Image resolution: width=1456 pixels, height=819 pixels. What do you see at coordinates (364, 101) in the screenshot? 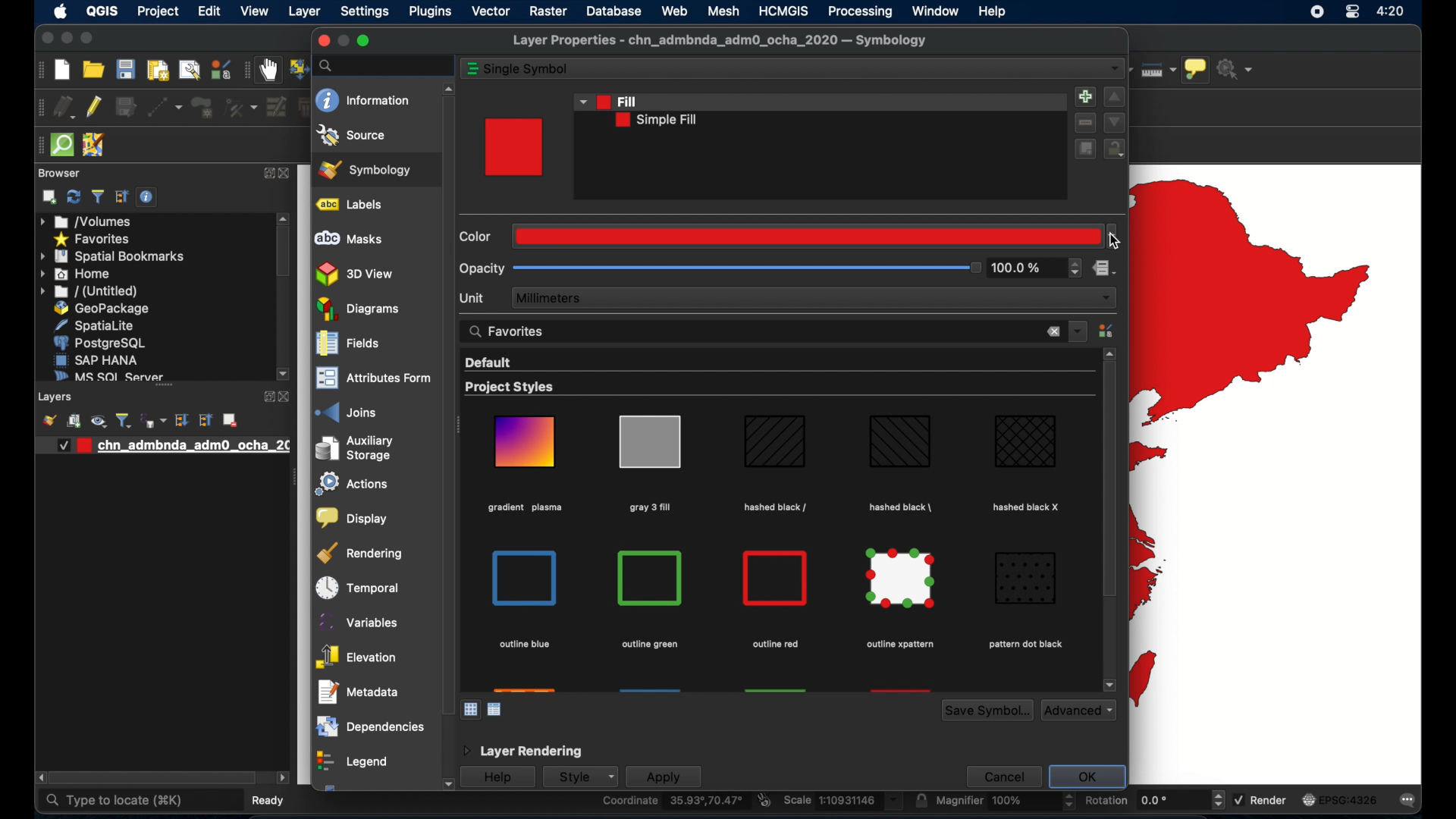
I see `information` at bounding box center [364, 101].